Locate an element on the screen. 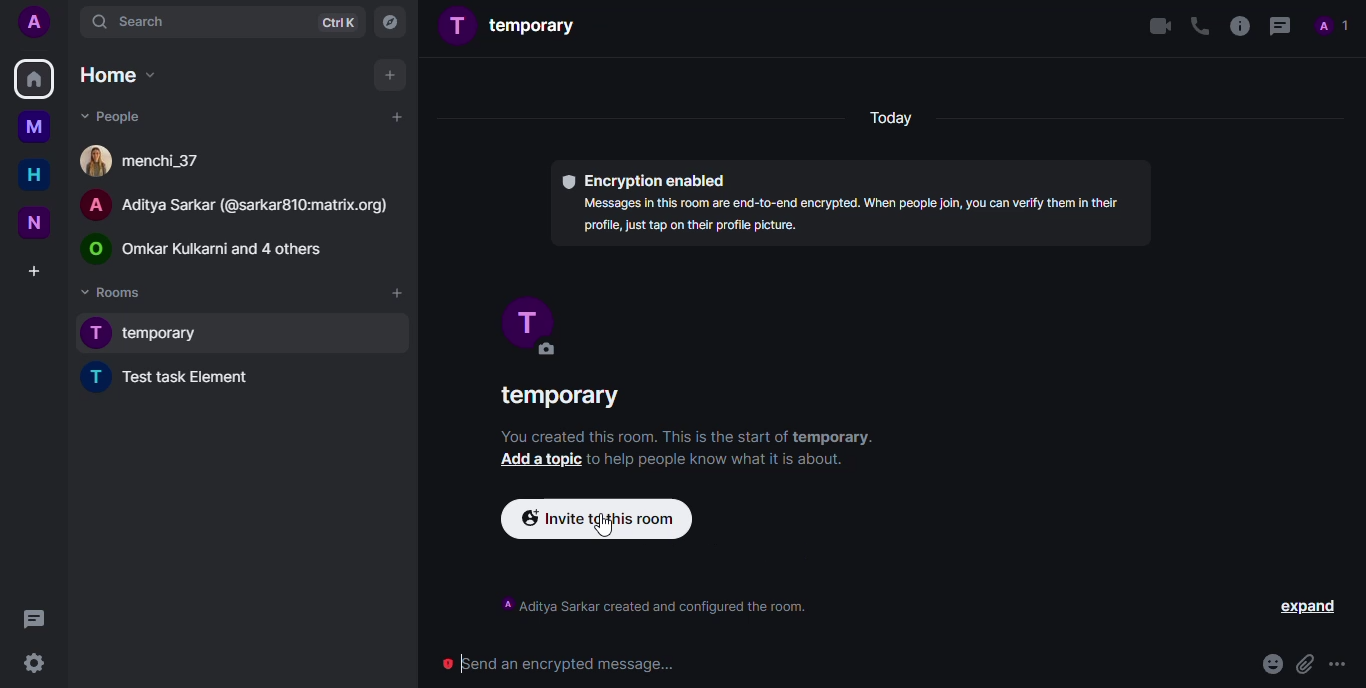 Image resolution: width=1366 pixels, height=688 pixels. cursor is located at coordinates (605, 526).